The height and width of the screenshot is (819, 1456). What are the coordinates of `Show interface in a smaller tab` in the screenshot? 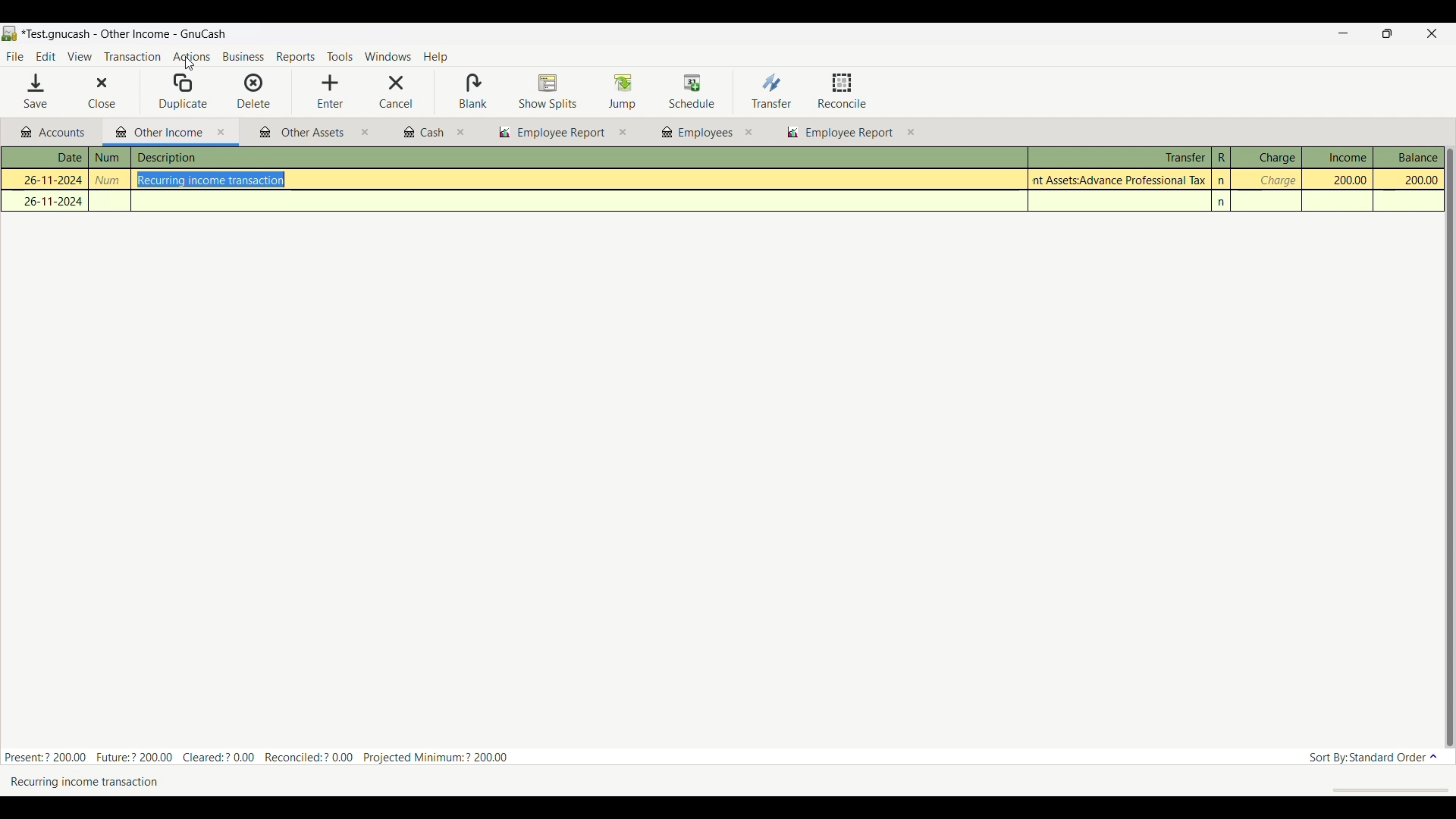 It's located at (1390, 35).